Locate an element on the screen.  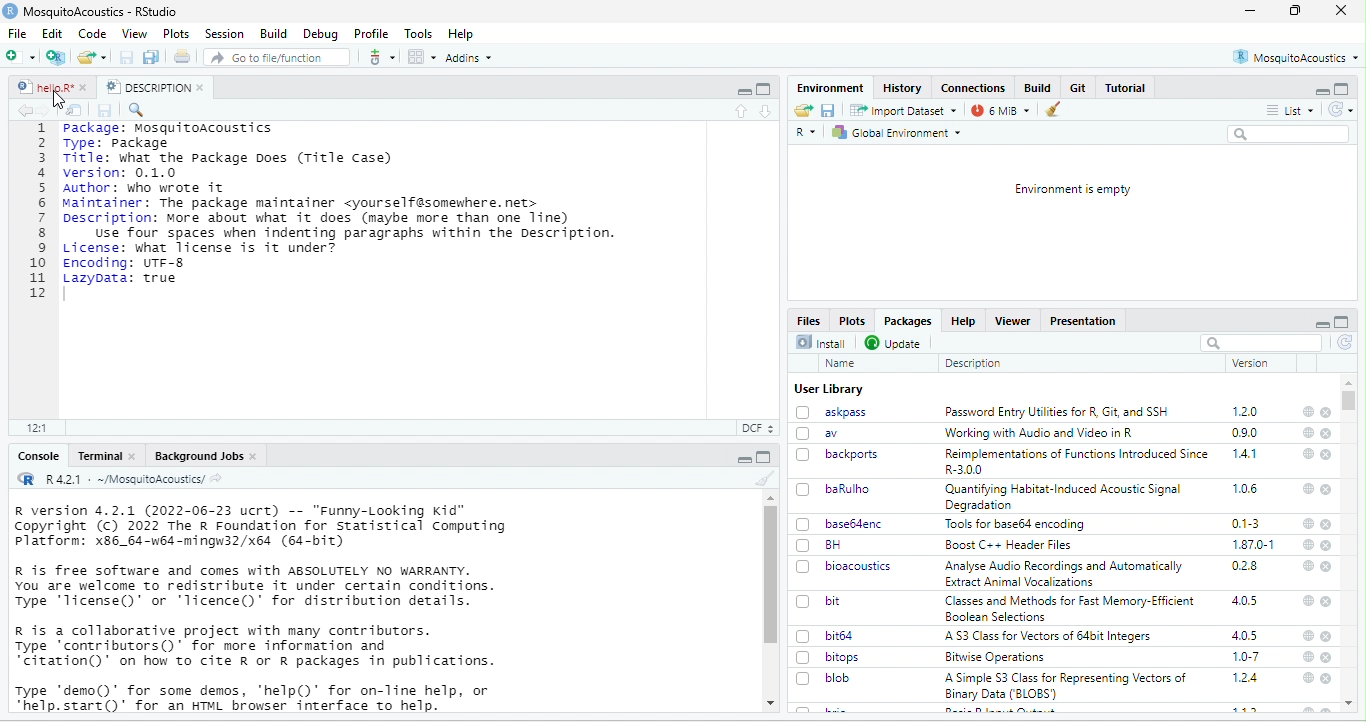
Presentation is located at coordinates (1084, 321).